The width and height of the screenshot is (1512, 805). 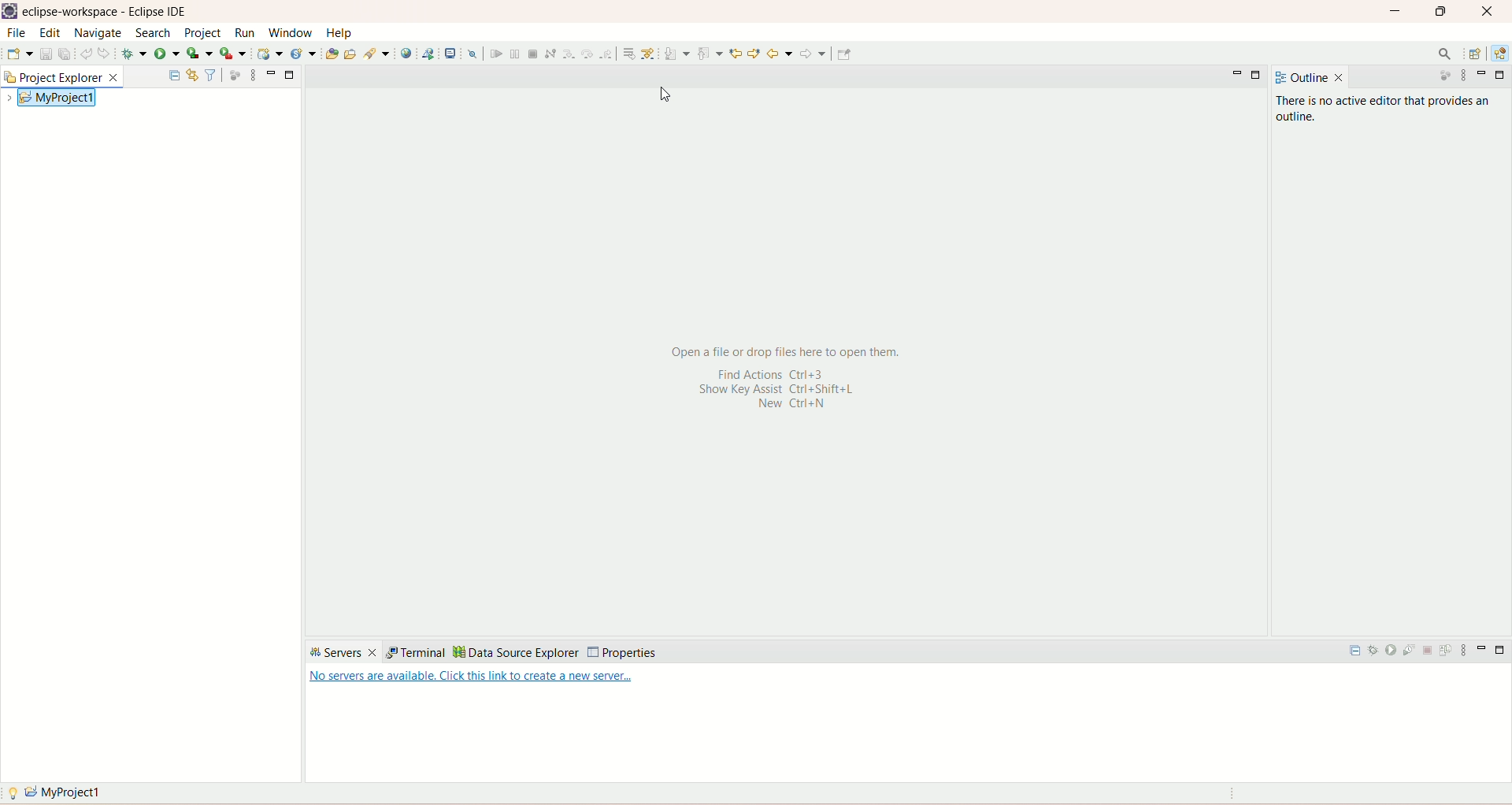 I want to click on focus on active task, so click(x=1443, y=75).